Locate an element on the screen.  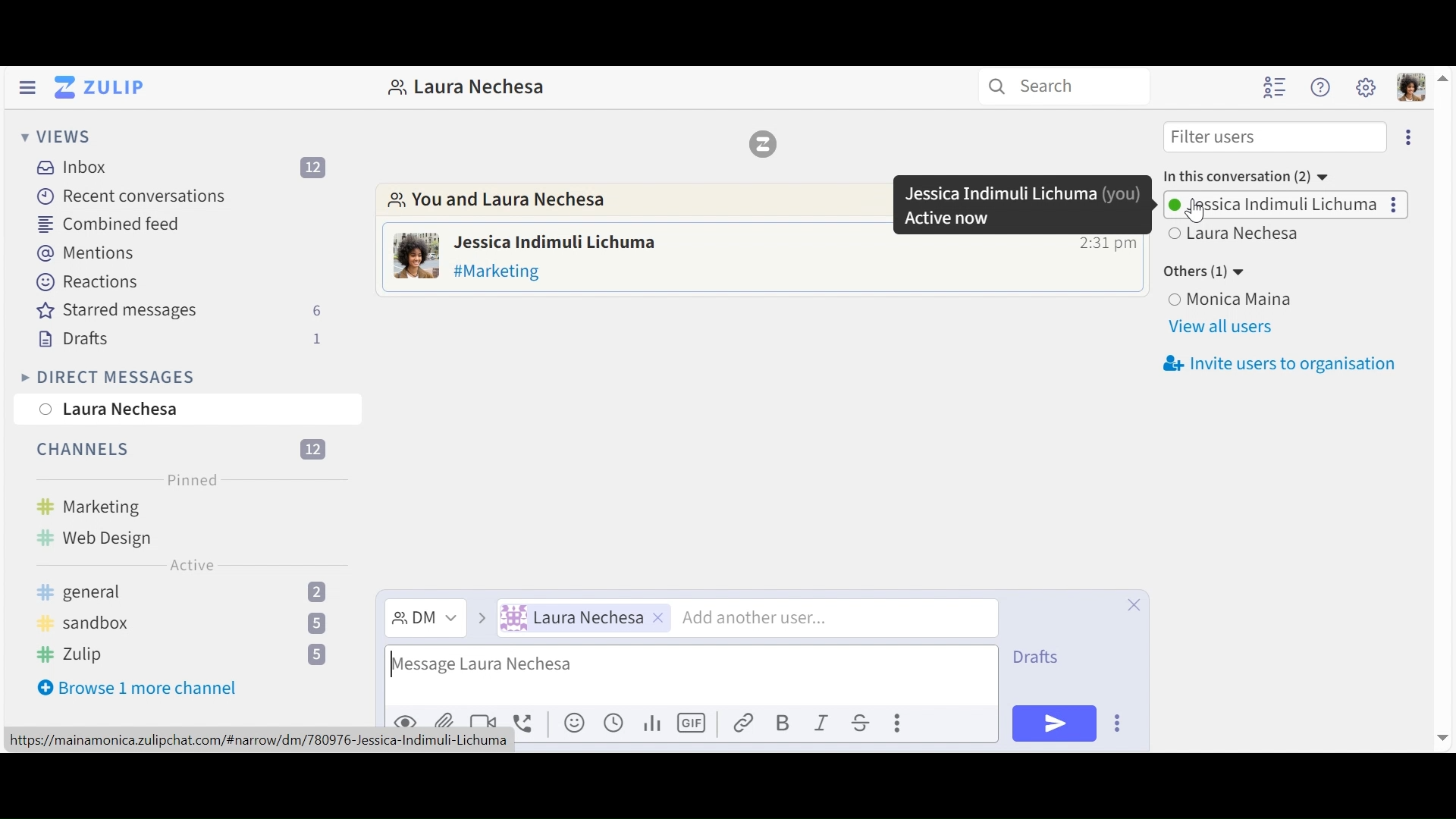
Starred messages is located at coordinates (180, 311).